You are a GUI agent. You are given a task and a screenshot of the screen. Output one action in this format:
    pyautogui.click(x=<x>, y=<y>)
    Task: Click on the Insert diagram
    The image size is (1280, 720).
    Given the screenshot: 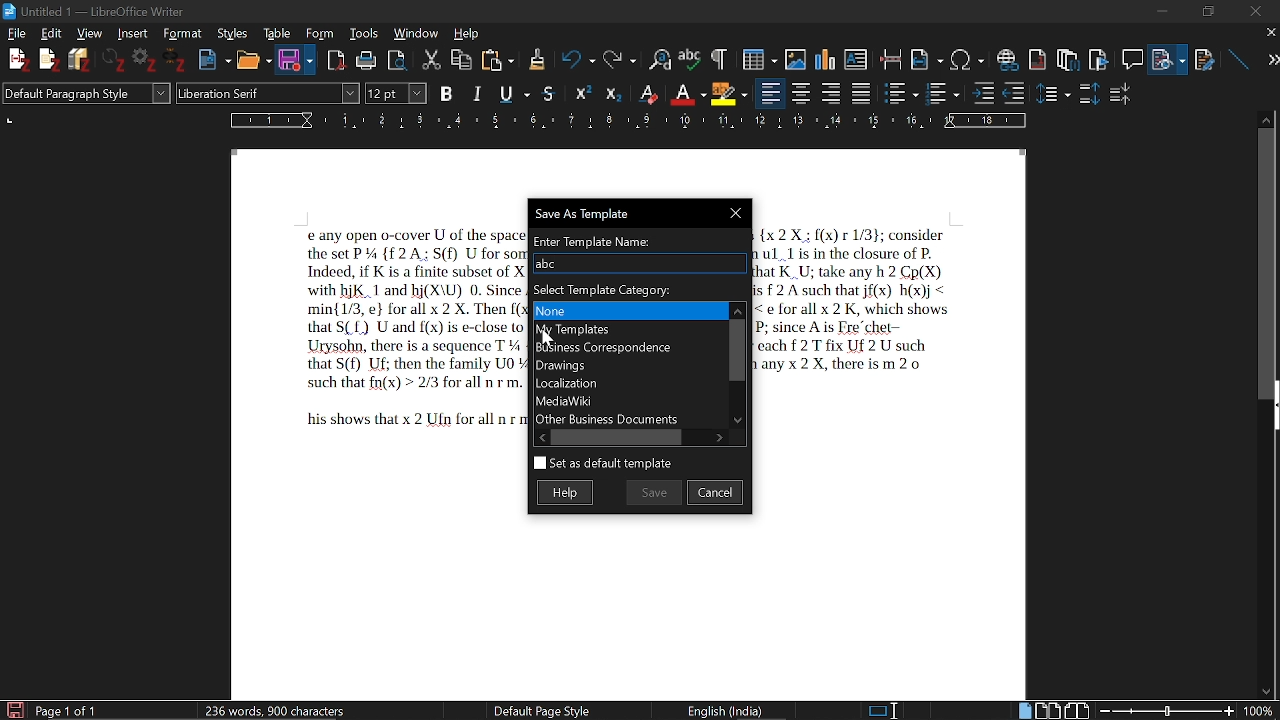 What is the action you would take?
    pyautogui.click(x=825, y=56)
    